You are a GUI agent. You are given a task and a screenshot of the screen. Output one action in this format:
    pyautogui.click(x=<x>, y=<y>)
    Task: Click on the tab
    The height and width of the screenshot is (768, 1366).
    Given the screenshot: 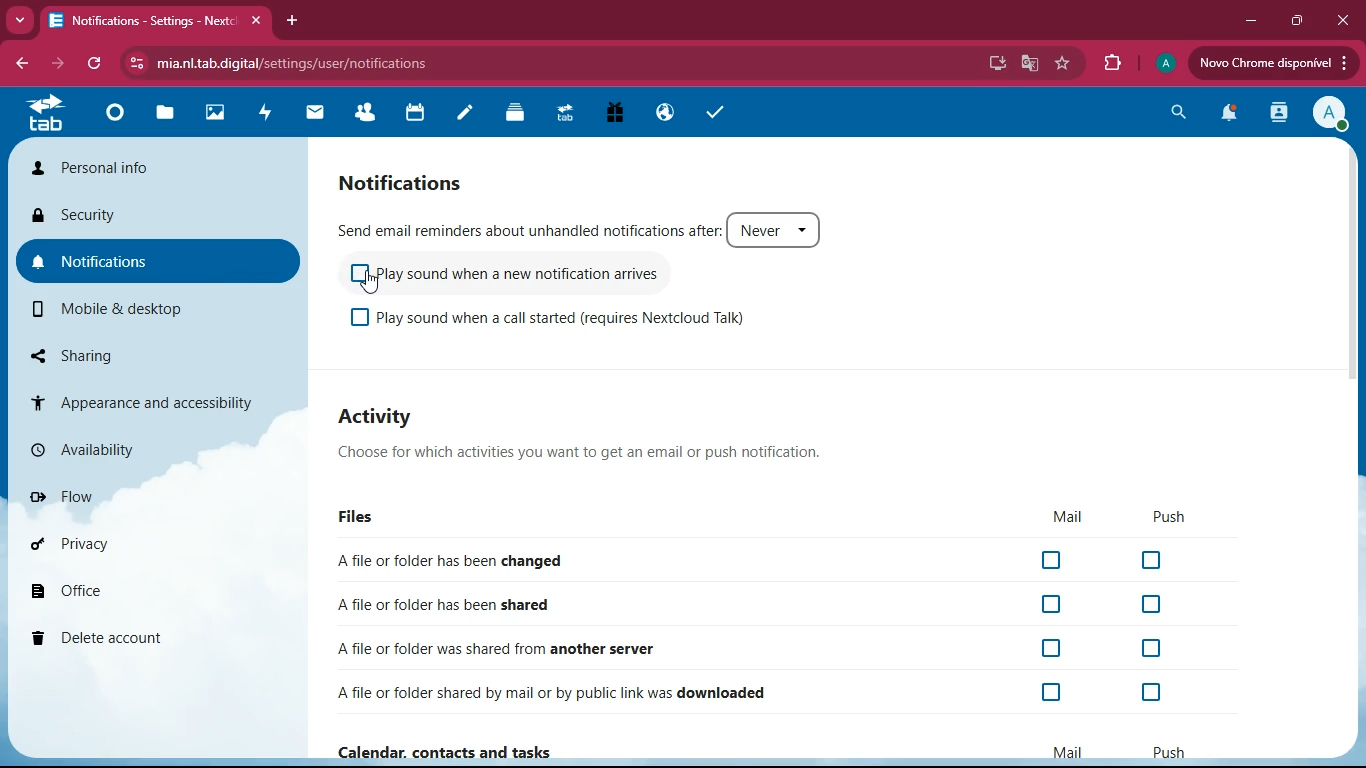 What is the action you would take?
    pyautogui.click(x=50, y=117)
    